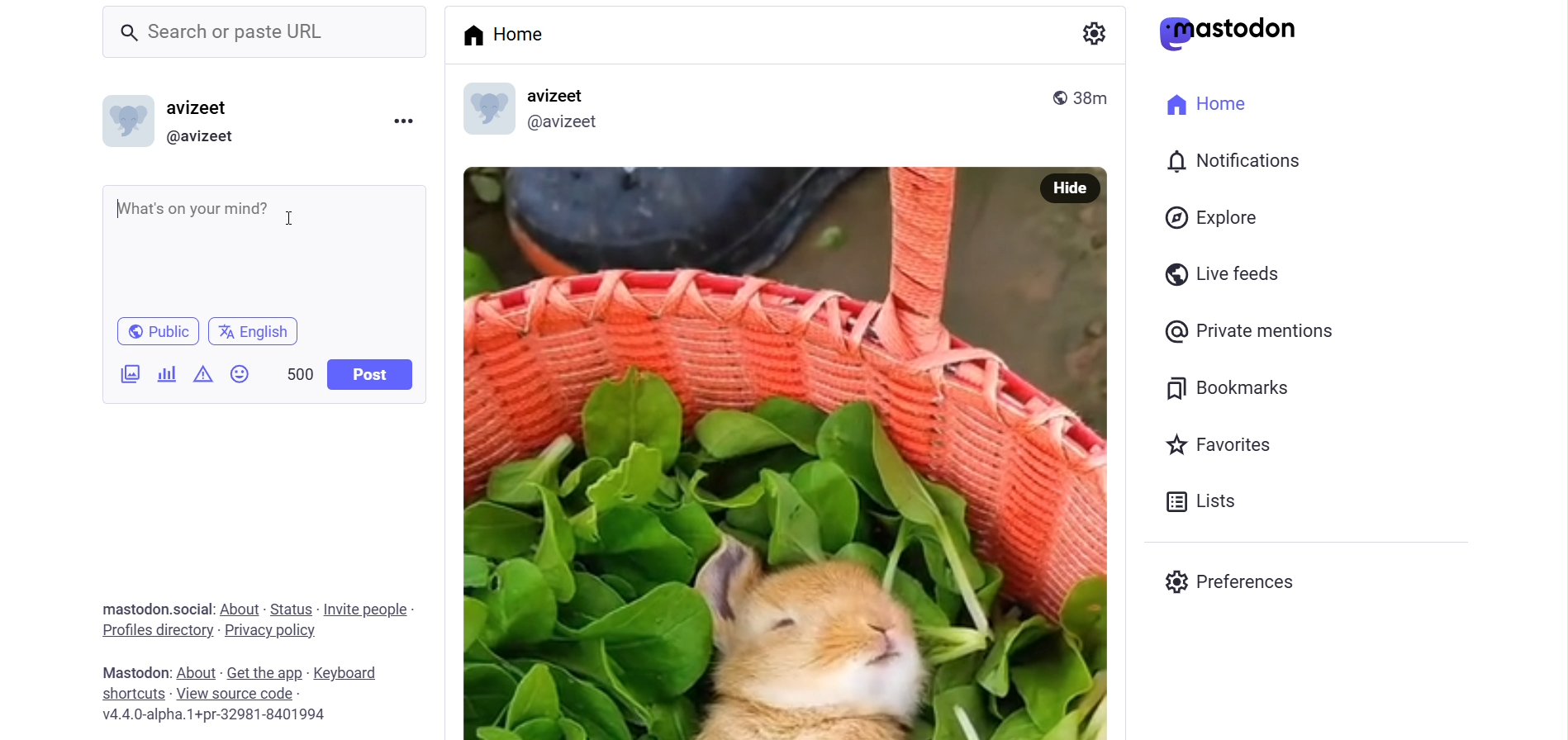 This screenshot has width=1568, height=740. Describe the element at coordinates (1209, 103) in the screenshot. I see `Home` at that location.